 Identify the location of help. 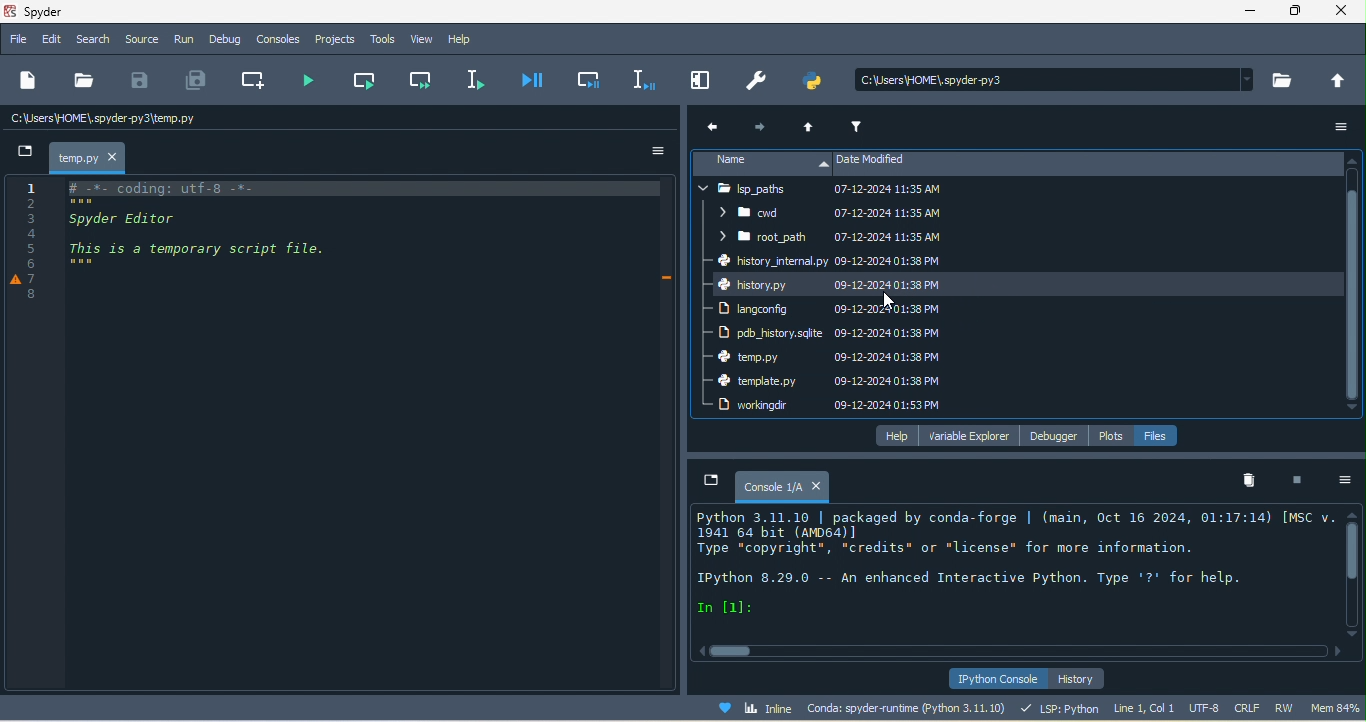
(893, 437).